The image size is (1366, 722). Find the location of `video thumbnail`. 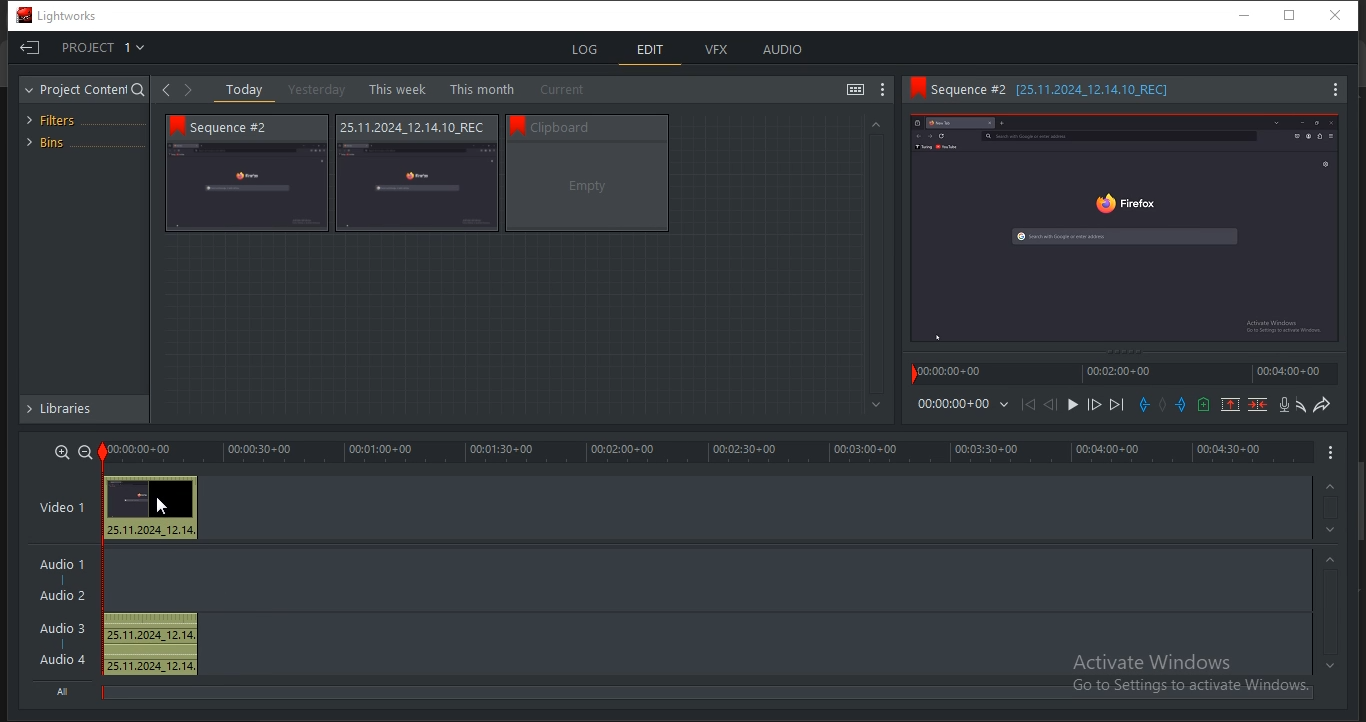

video thumbnail is located at coordinates (249, 186).